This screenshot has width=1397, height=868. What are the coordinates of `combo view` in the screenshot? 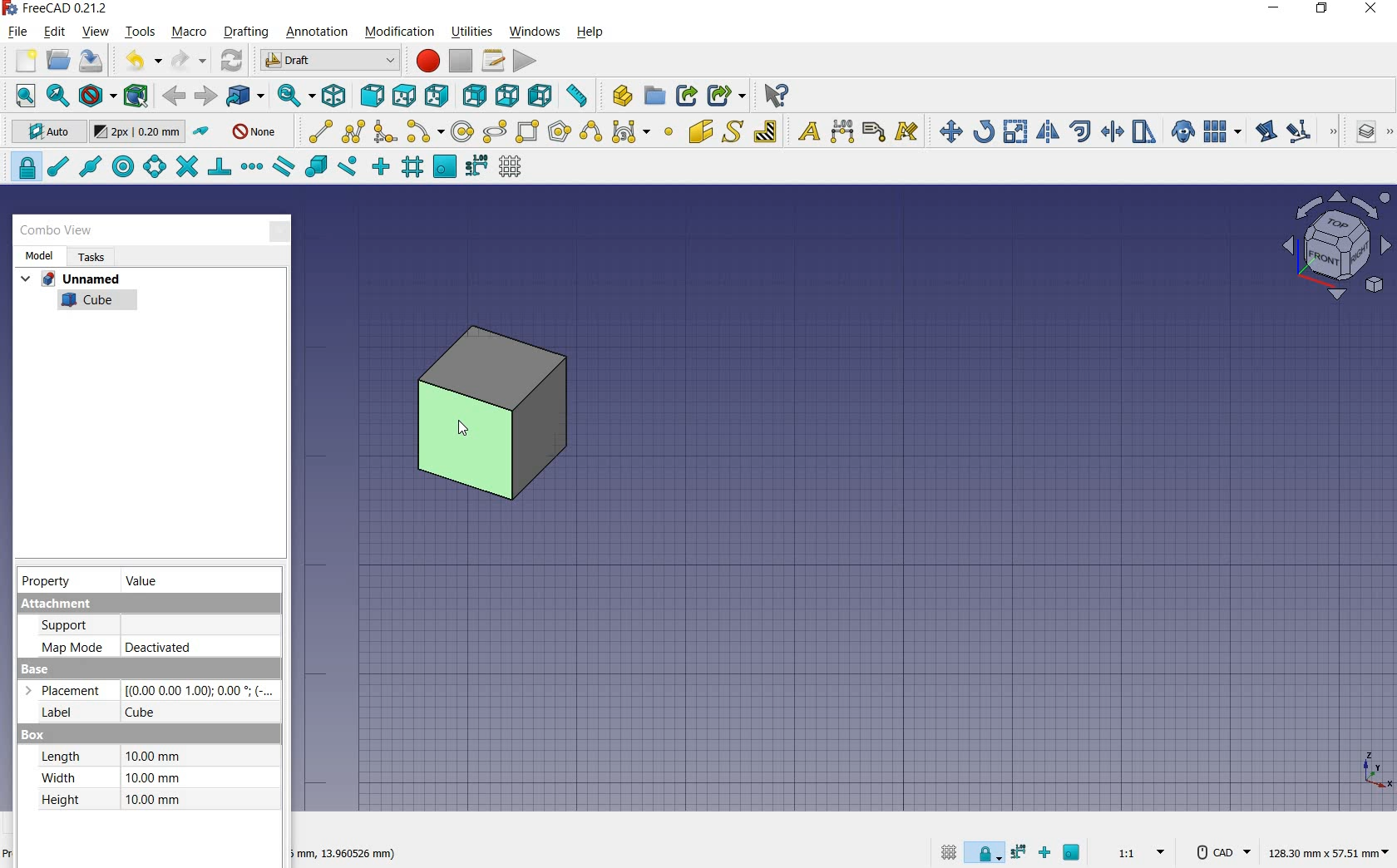 It's located at (57, 232).